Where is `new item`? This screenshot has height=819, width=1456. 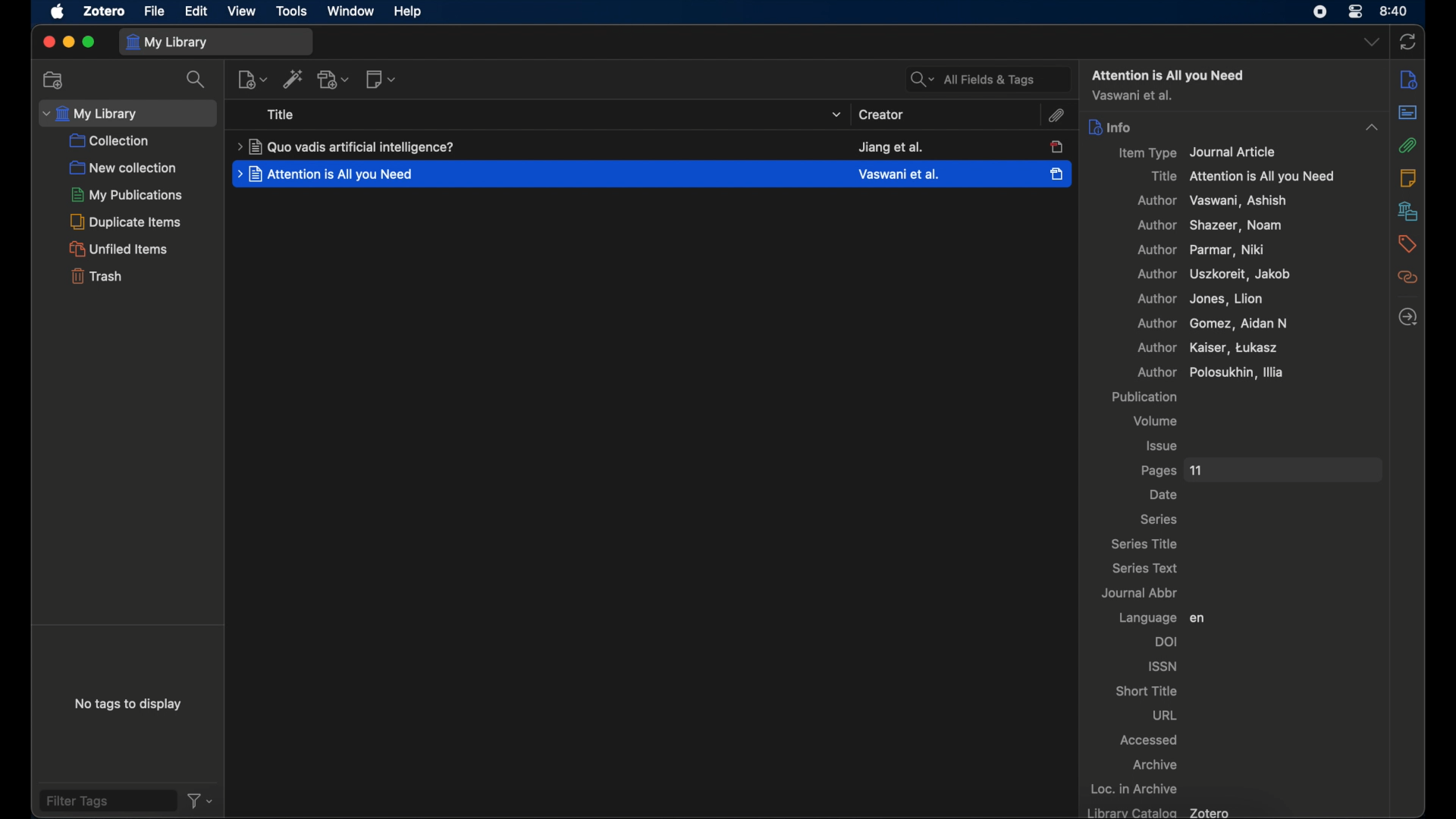 new item is located at coordinates (252, 79).